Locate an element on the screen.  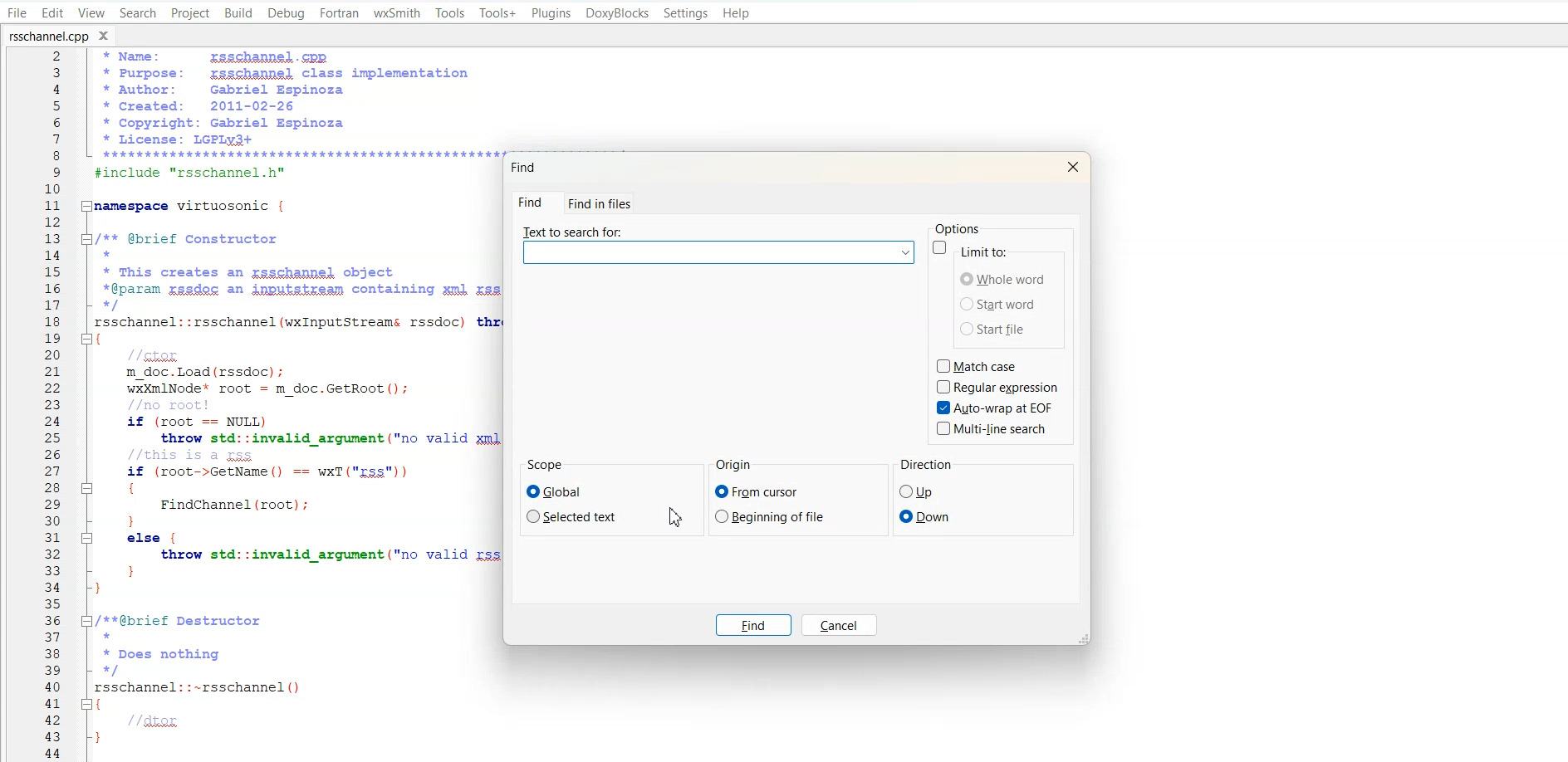
Regular expression is located at coordinates (1001, 387).